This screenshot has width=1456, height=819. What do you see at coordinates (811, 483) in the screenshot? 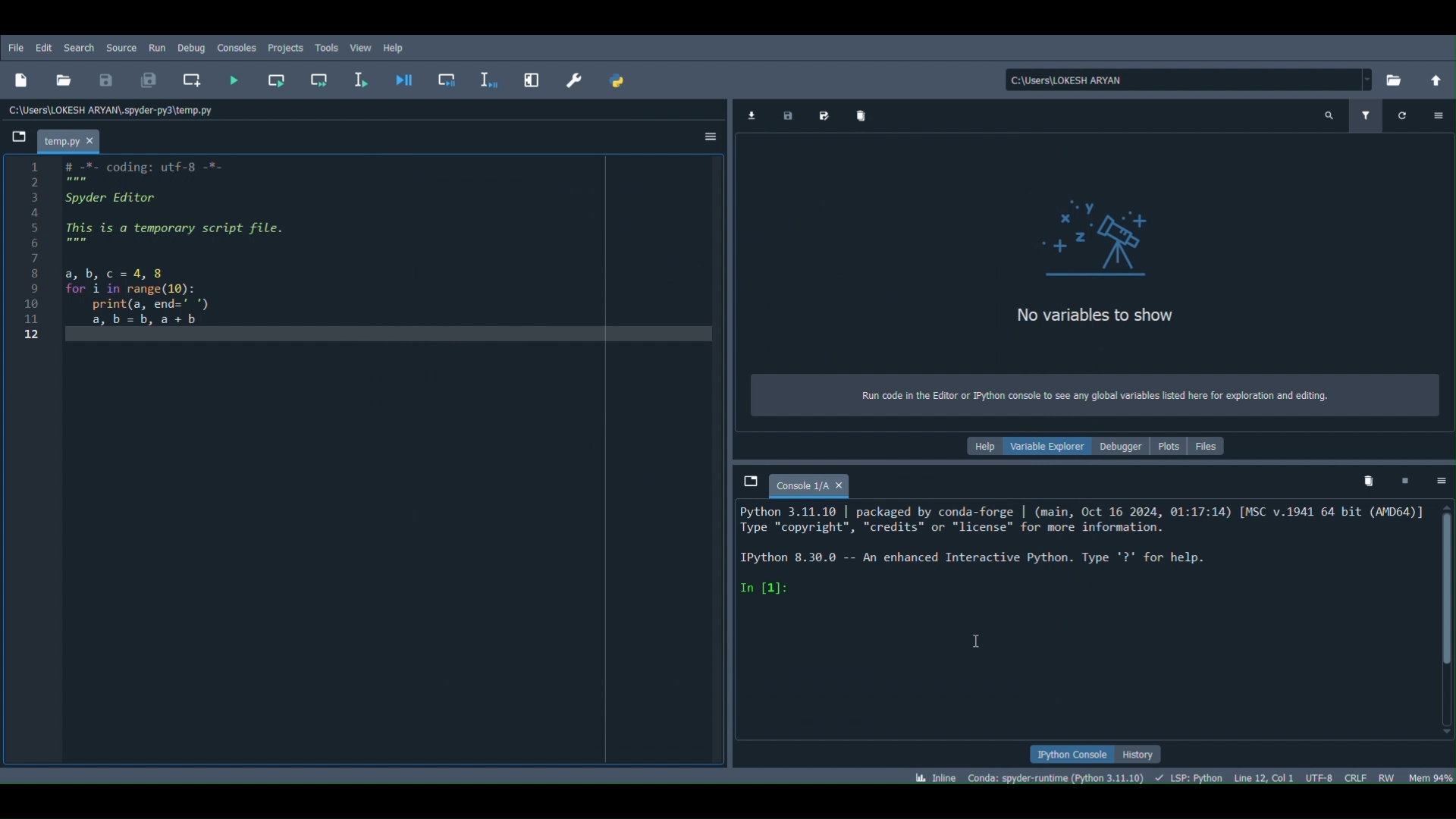
I see `Console` at bounding box center [811, 483].